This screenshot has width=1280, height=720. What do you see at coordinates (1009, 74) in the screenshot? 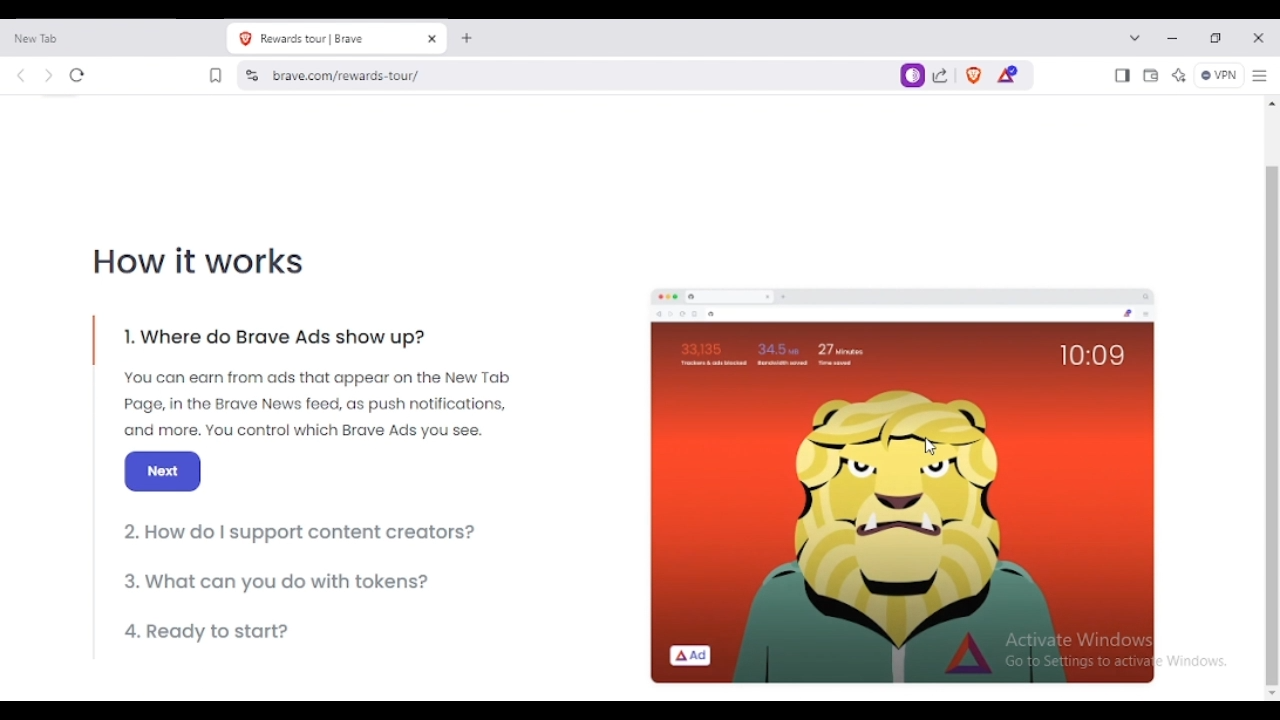
I see `brave rewards panel` at bounding box center [1009, 74].